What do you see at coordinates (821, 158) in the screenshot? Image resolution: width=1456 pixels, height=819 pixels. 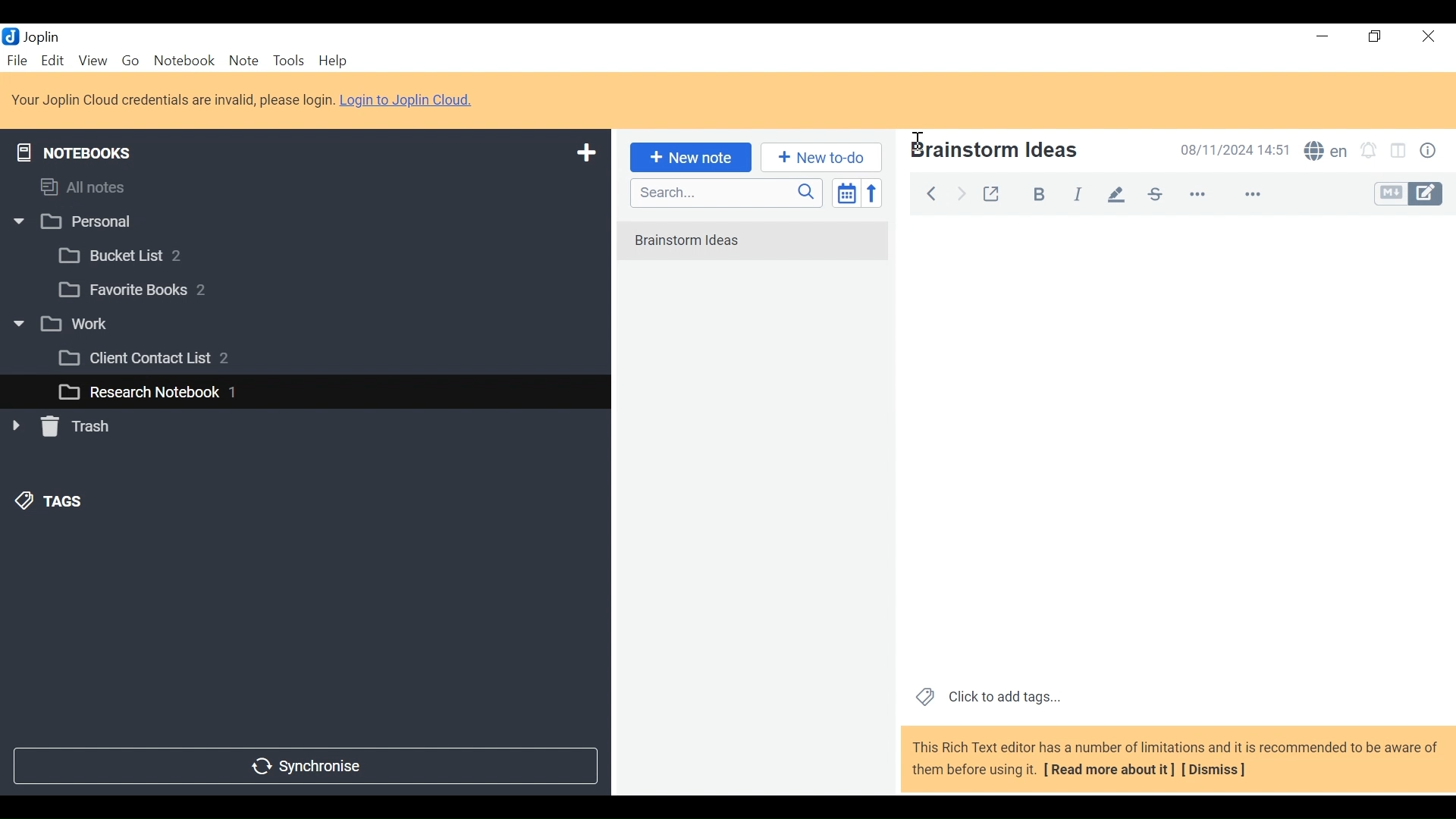 I see `Add New to Do` at bounding box center [821, 158].